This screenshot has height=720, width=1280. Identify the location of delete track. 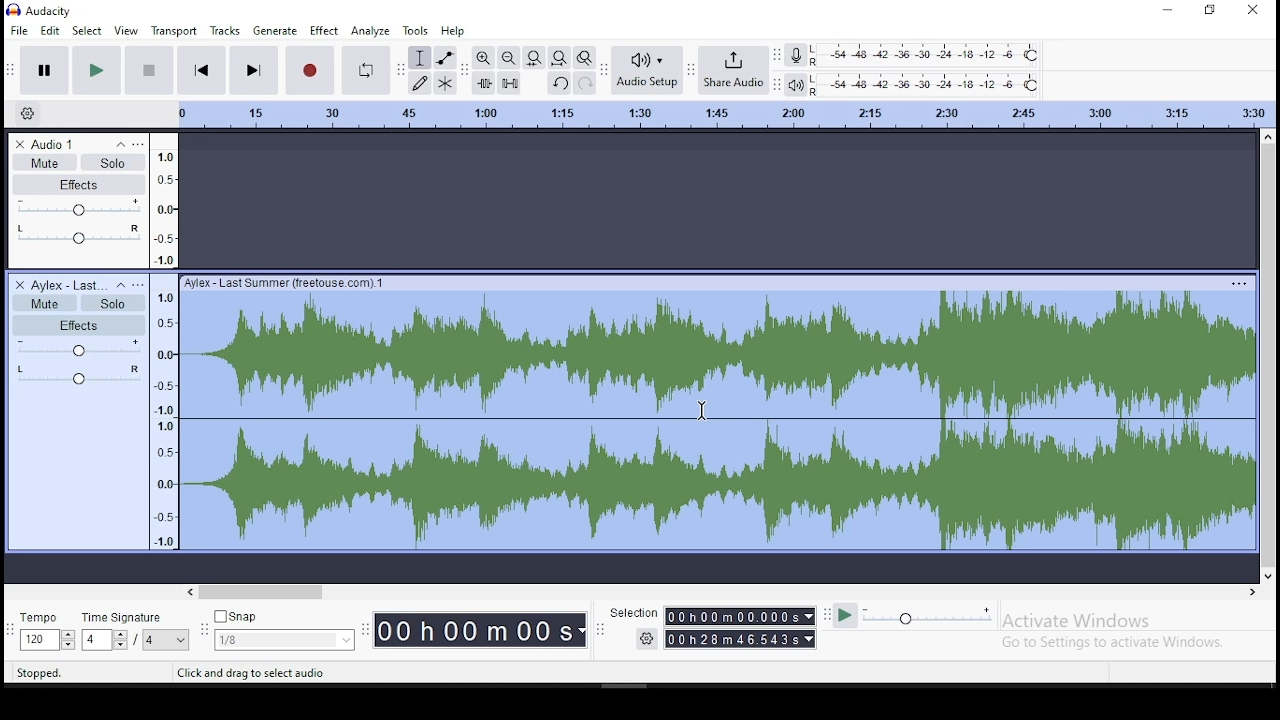
(21, 284).